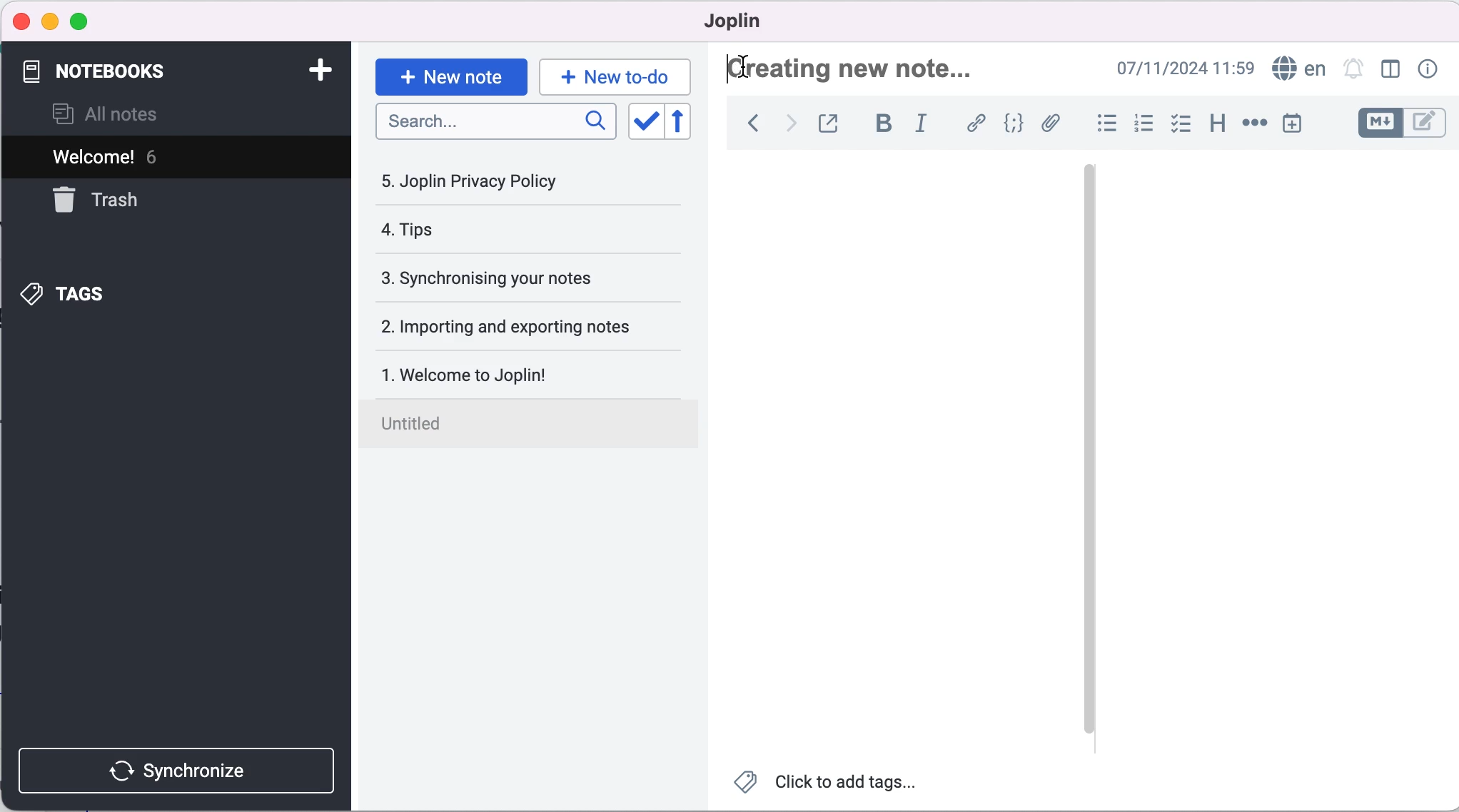  I want to click on creating note, so click(857, 68).